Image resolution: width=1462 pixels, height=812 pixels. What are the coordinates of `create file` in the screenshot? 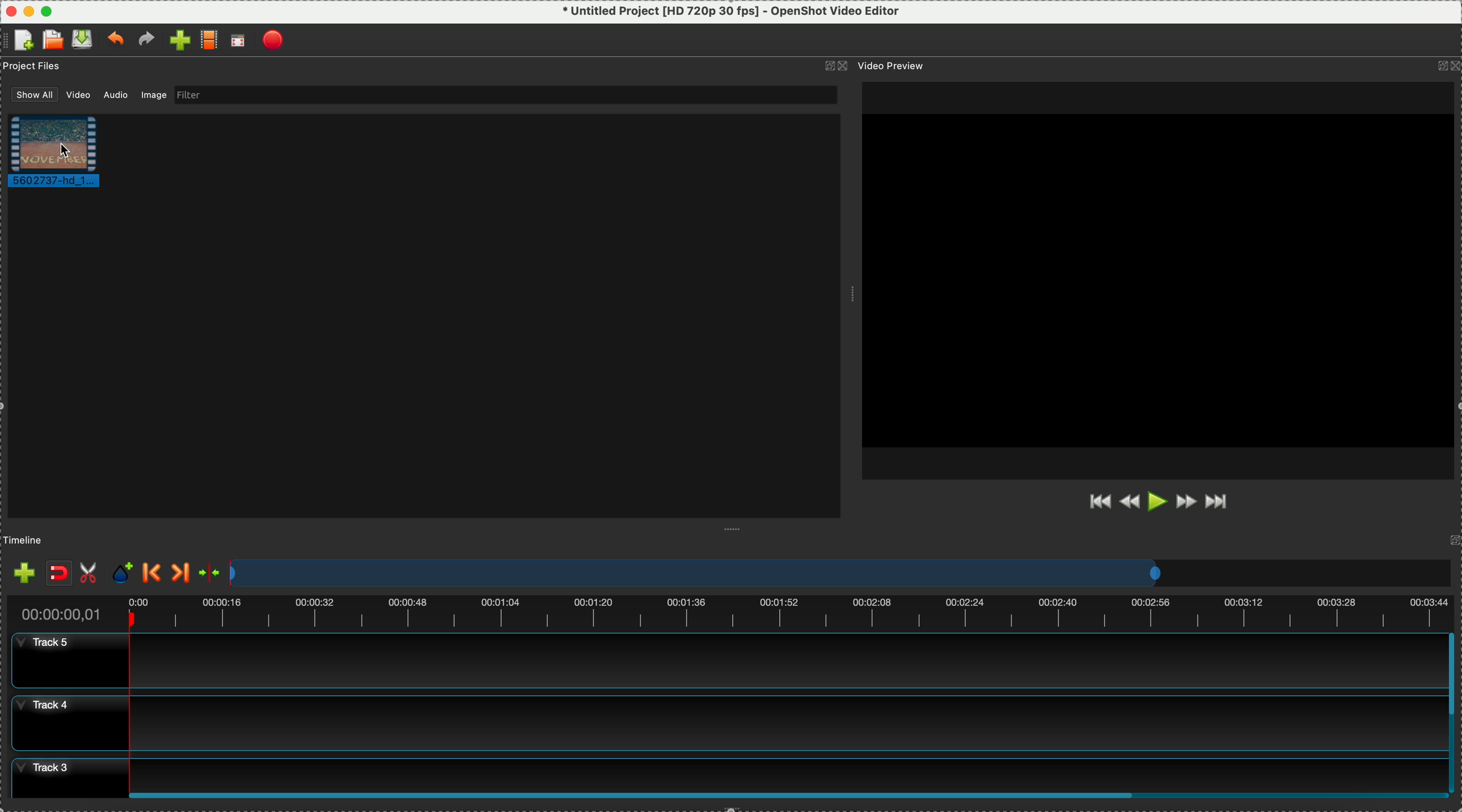 It's located at (21, 41).